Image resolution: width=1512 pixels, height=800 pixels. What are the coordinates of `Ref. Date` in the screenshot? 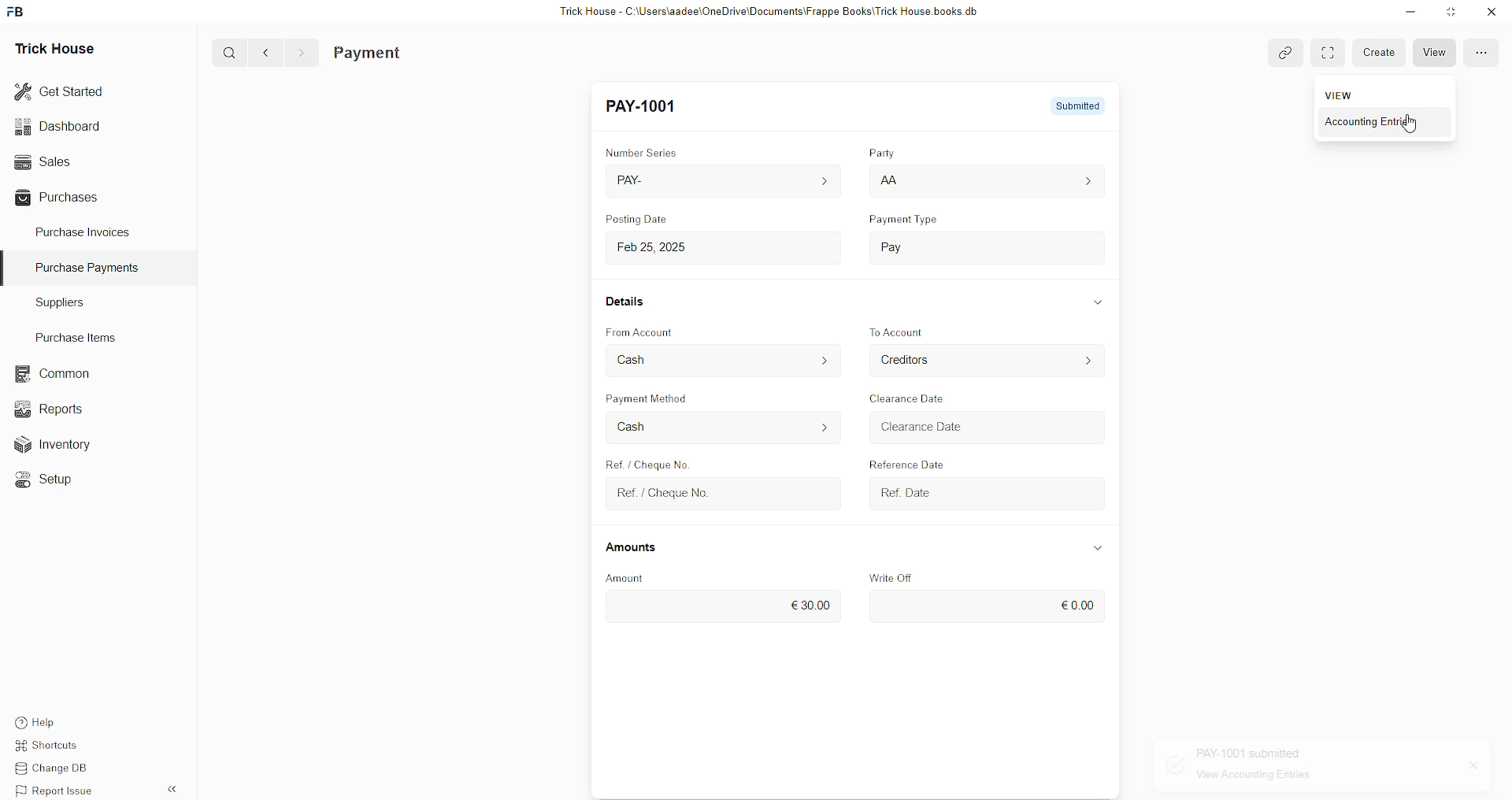 It's located at (913, 490).